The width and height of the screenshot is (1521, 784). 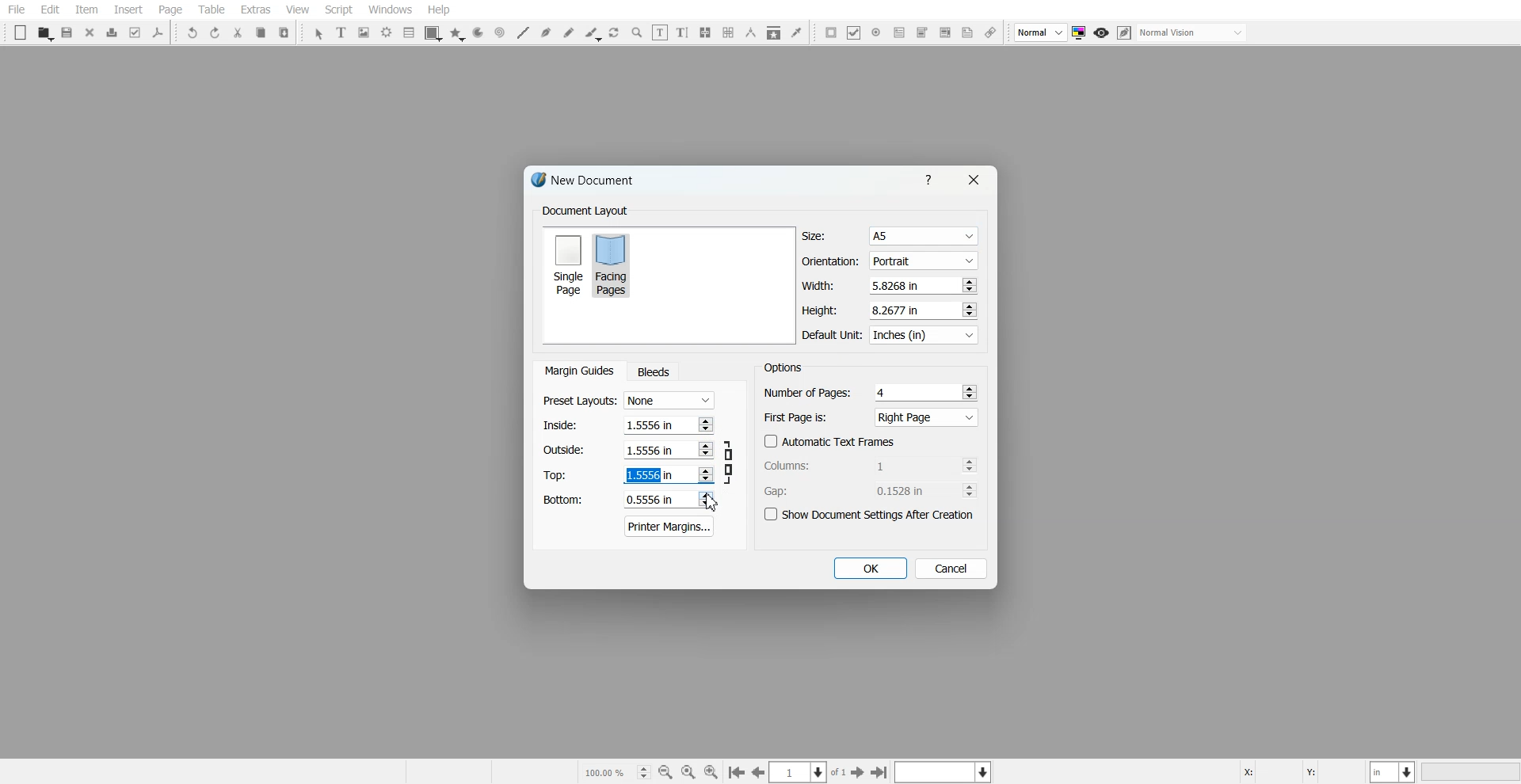 I want to click on 5.8268 in, so click(x=898, y=285).